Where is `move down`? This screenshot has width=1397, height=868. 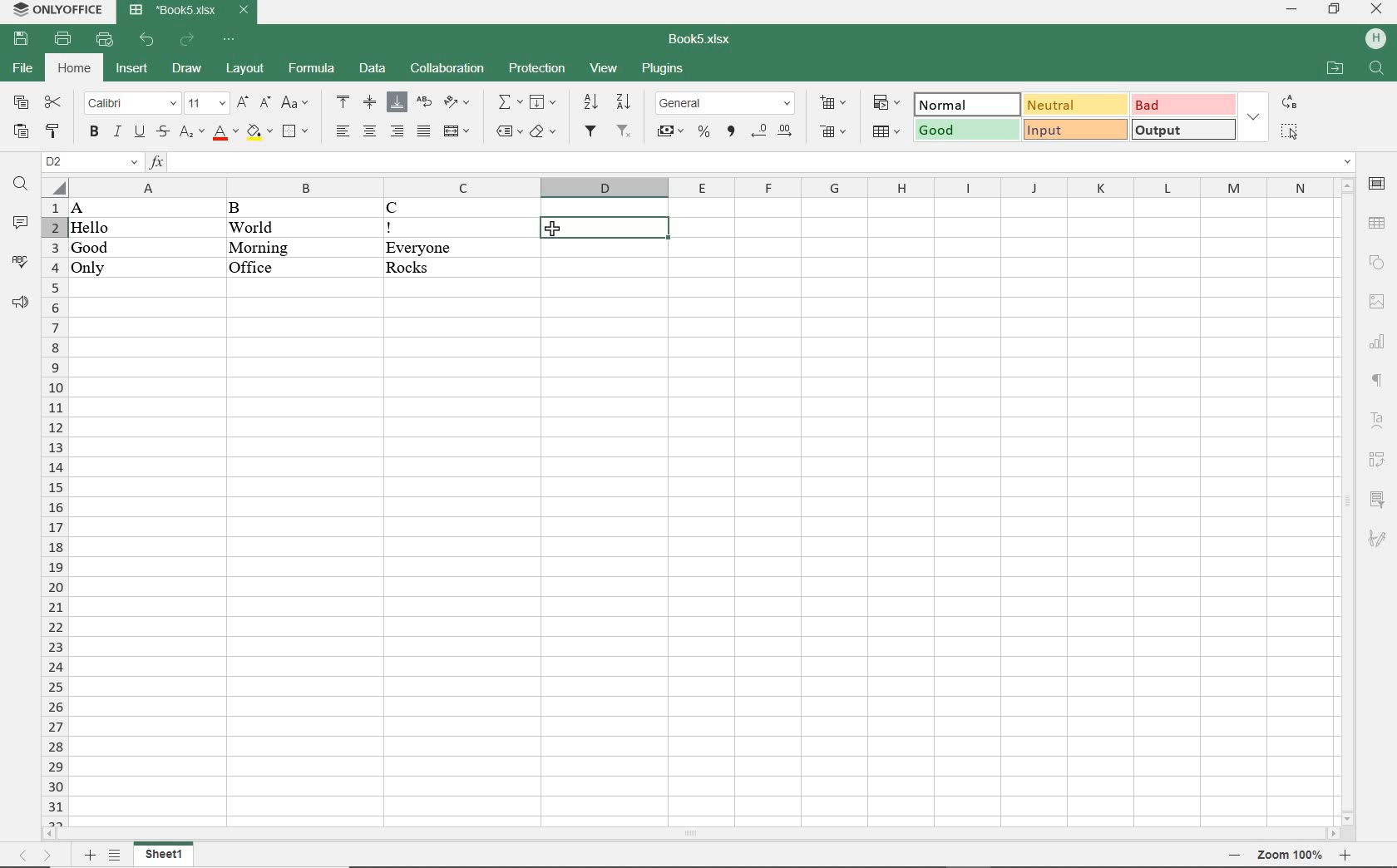
move down is located at coordinates (1346, 817).